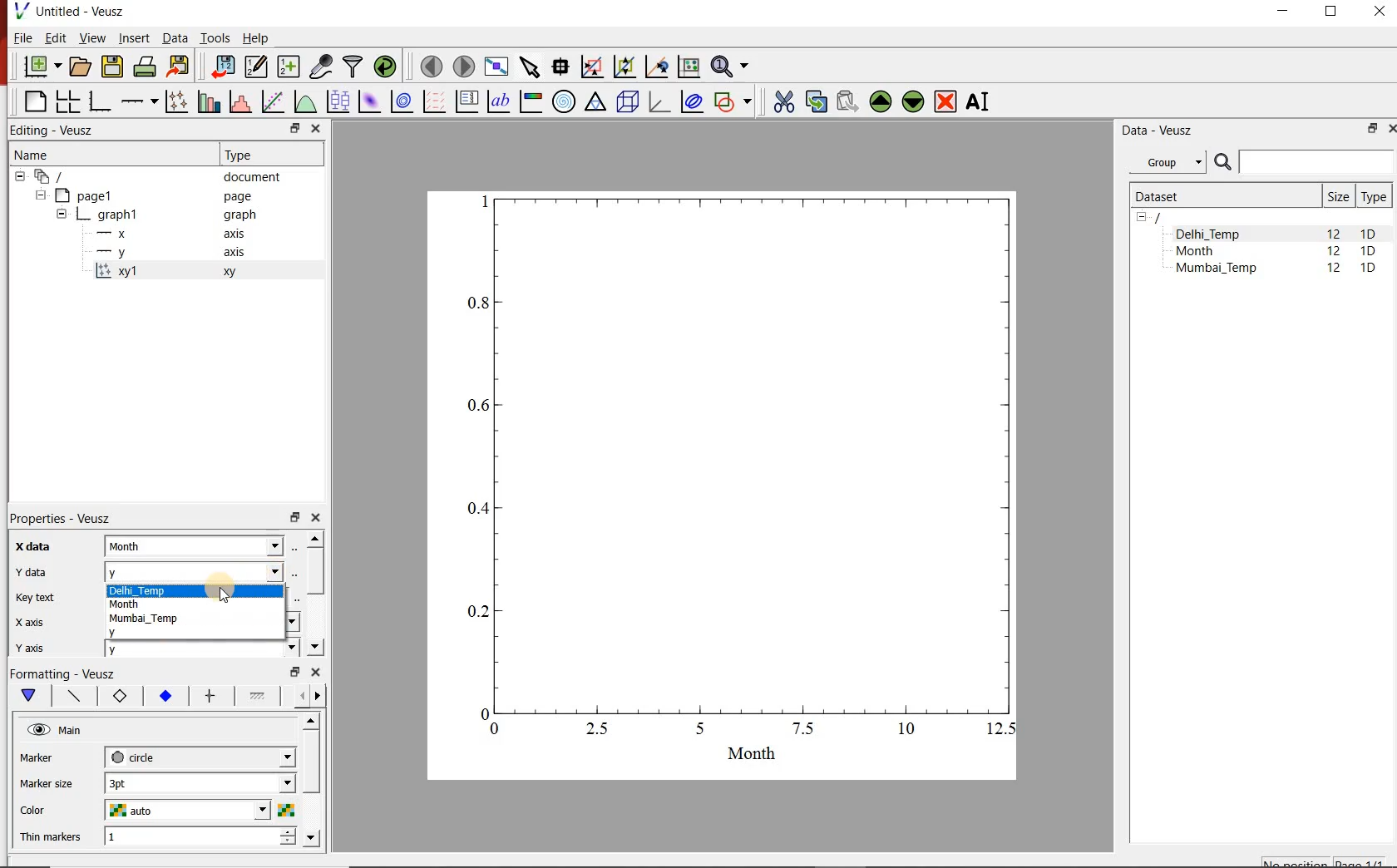 This screenshot has height=868, width=1397. Describe the element at coordinates (733, 103) in the screenshot. I see `add a shape to the plot` at that location.